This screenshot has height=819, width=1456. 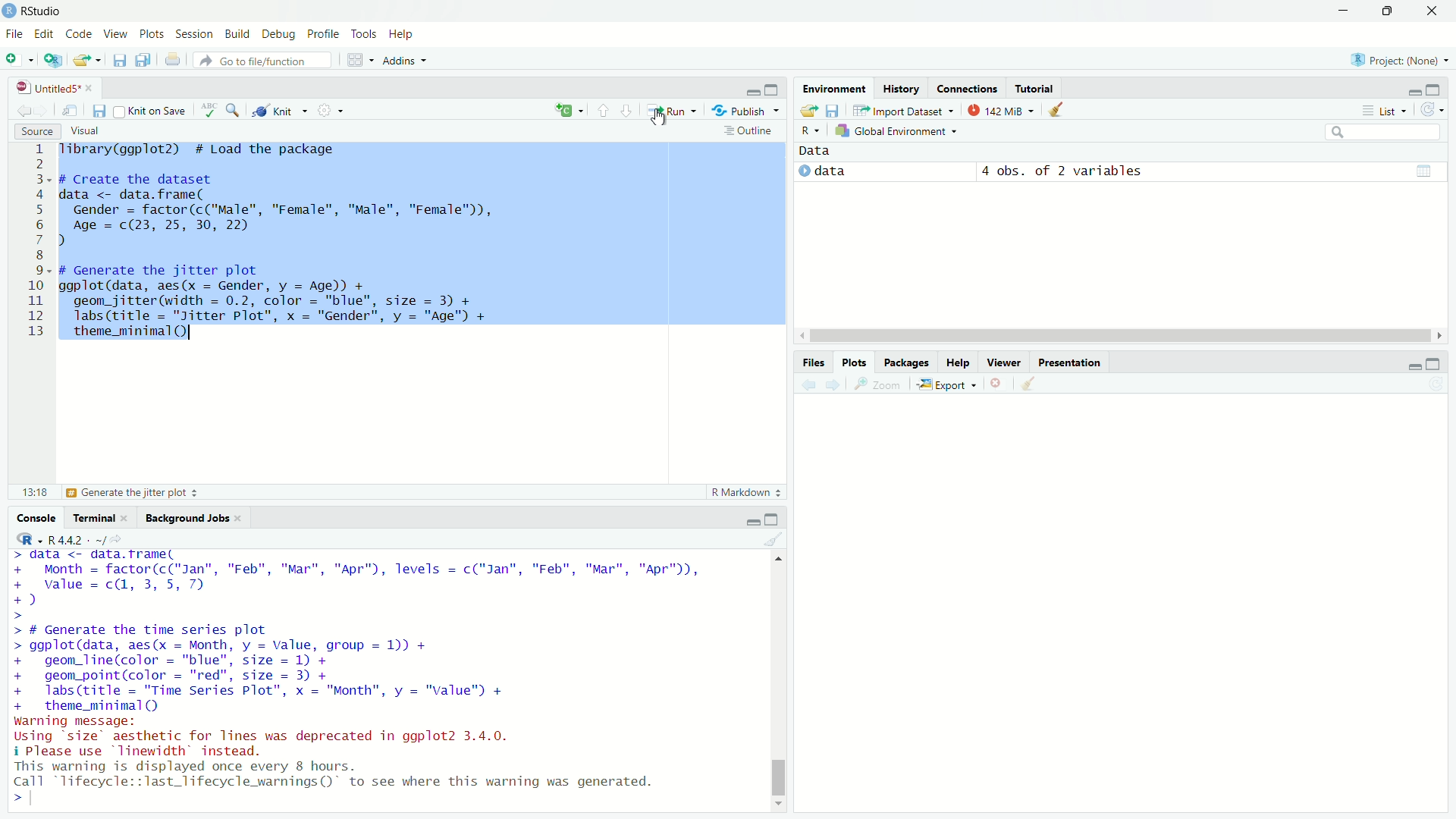 What do you see at coordinates (88, 132) in the screenshot?
I see `visual` at bounding box center [88, 132].